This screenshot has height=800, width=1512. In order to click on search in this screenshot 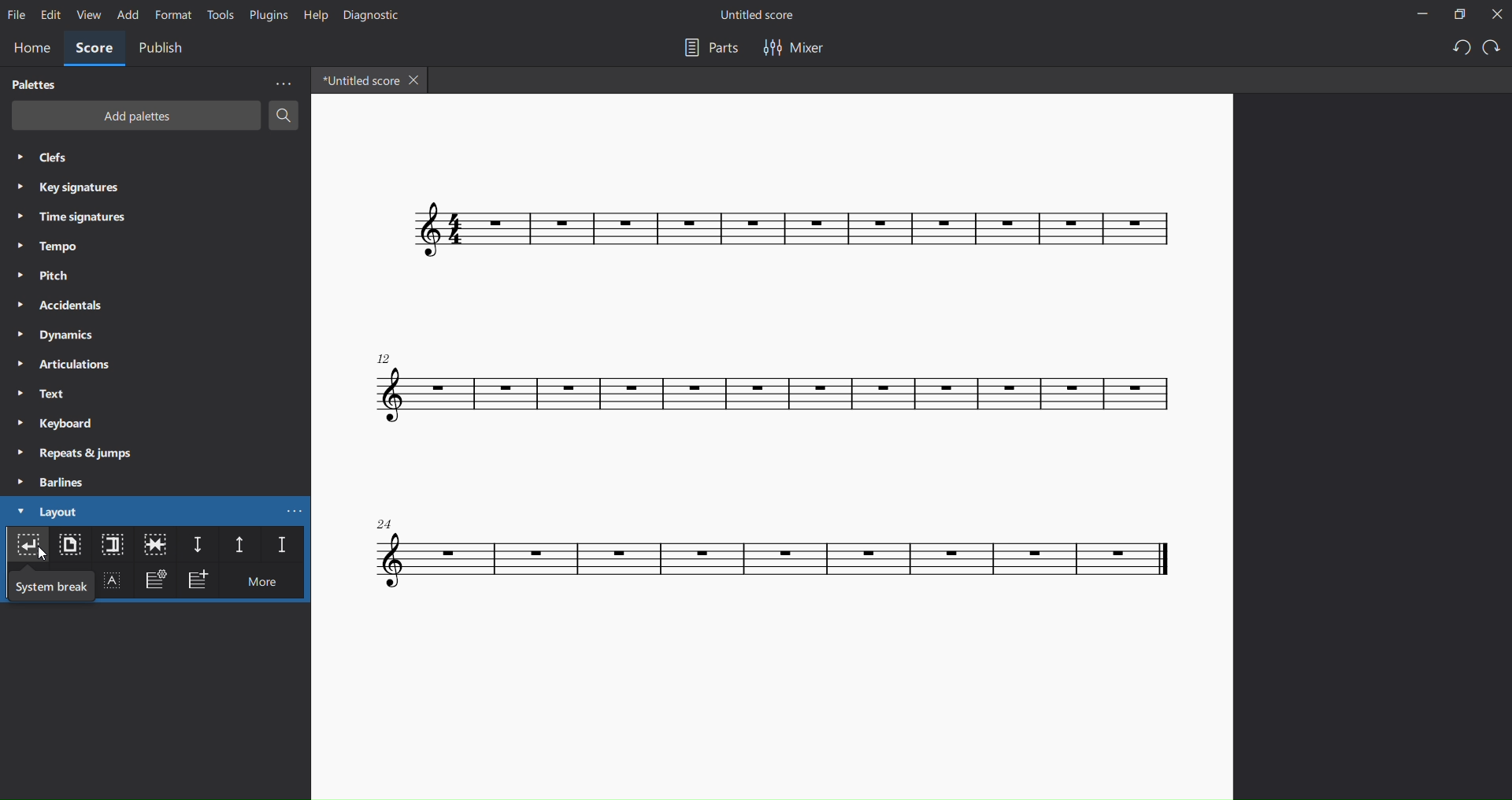, I will do `click(285, 118)`.